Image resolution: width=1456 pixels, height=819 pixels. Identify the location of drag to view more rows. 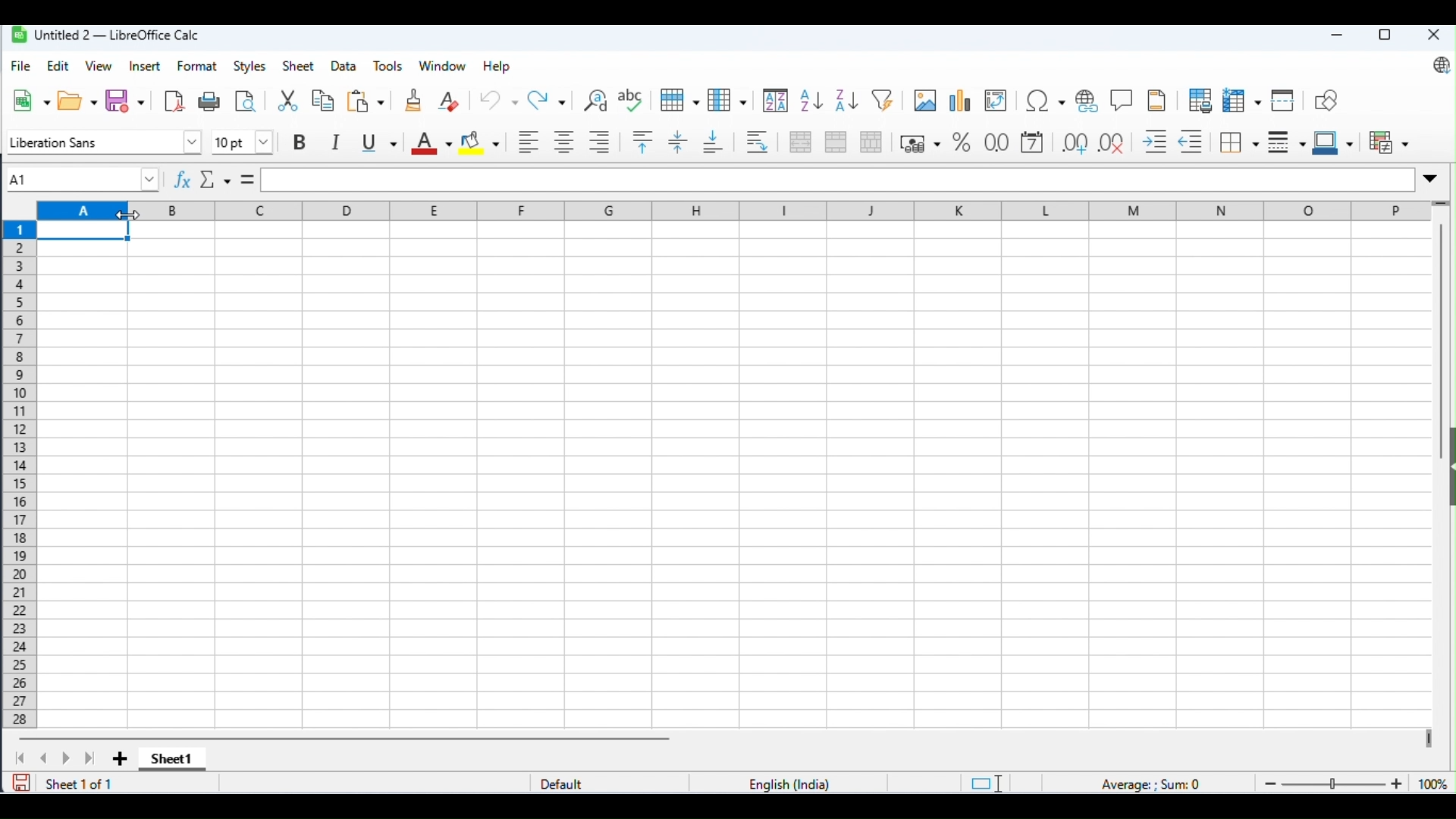
(1442, 204).